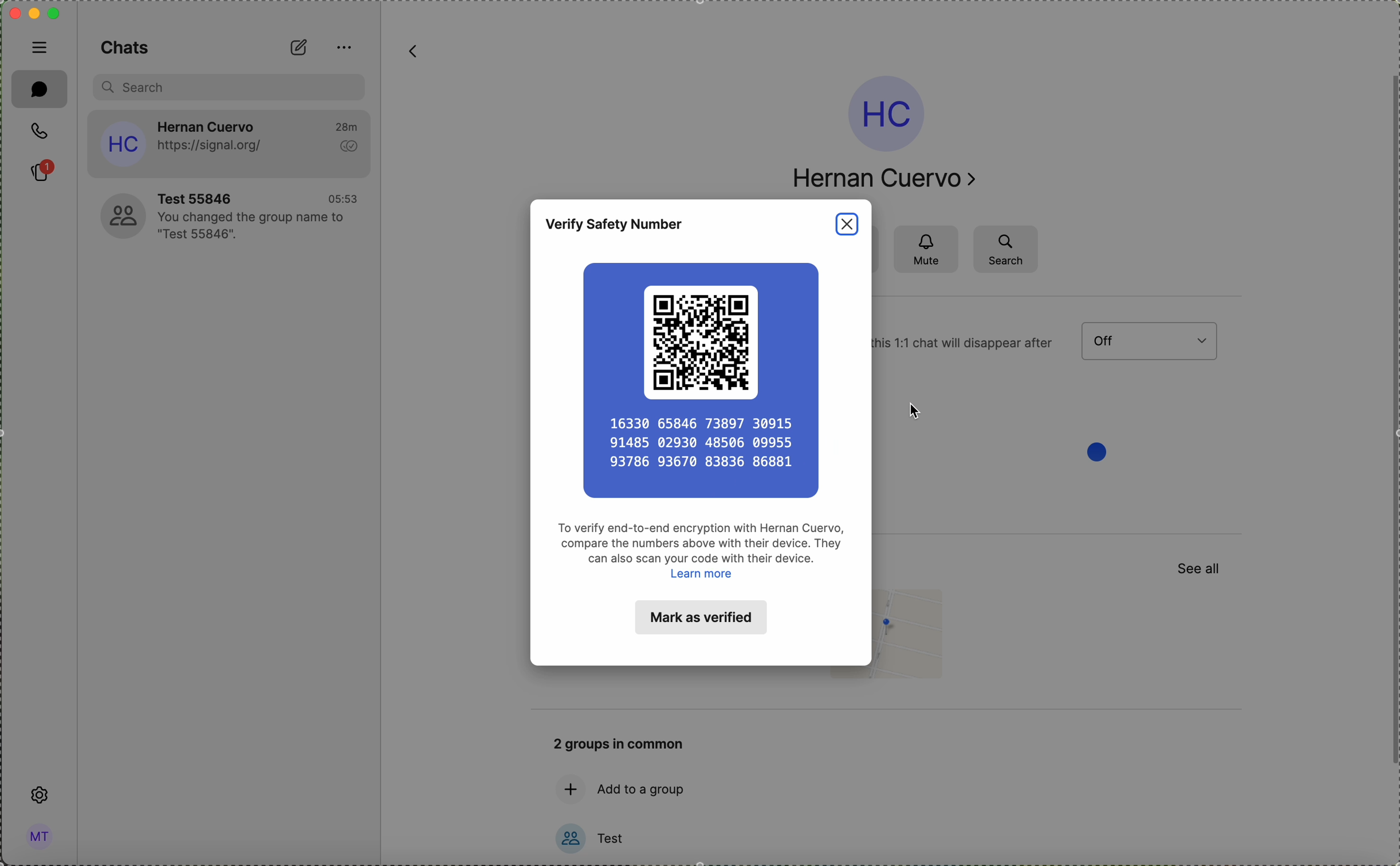 This screenshot has width=1400, height=866. Describe the element at coordinates (298, 46) in the screenshot. I see `new chat` at that location.